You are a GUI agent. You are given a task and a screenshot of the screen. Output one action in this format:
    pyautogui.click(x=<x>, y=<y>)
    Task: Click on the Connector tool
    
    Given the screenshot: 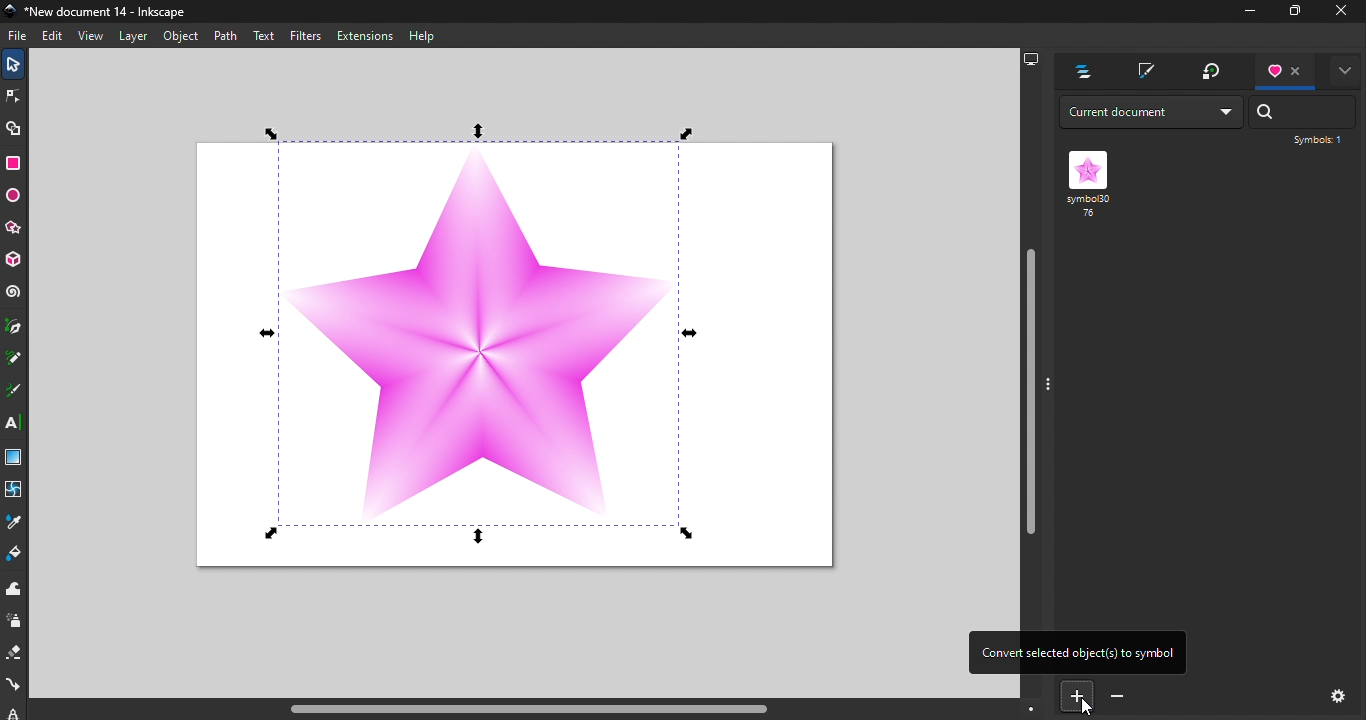 What is the action you would take?
    pyautogui.click(x=14, y=687)
    